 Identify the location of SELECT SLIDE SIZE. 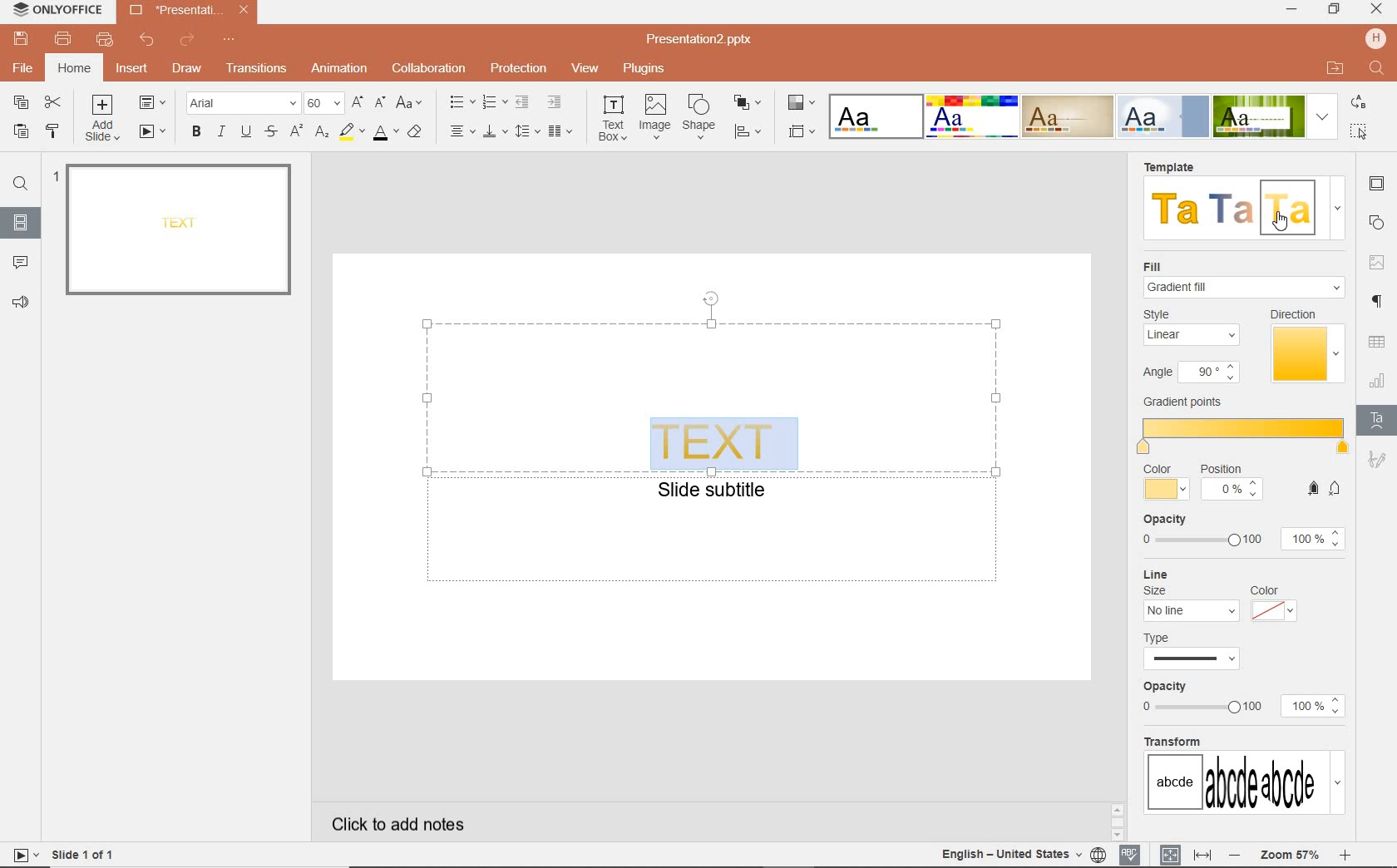
(802, 131).